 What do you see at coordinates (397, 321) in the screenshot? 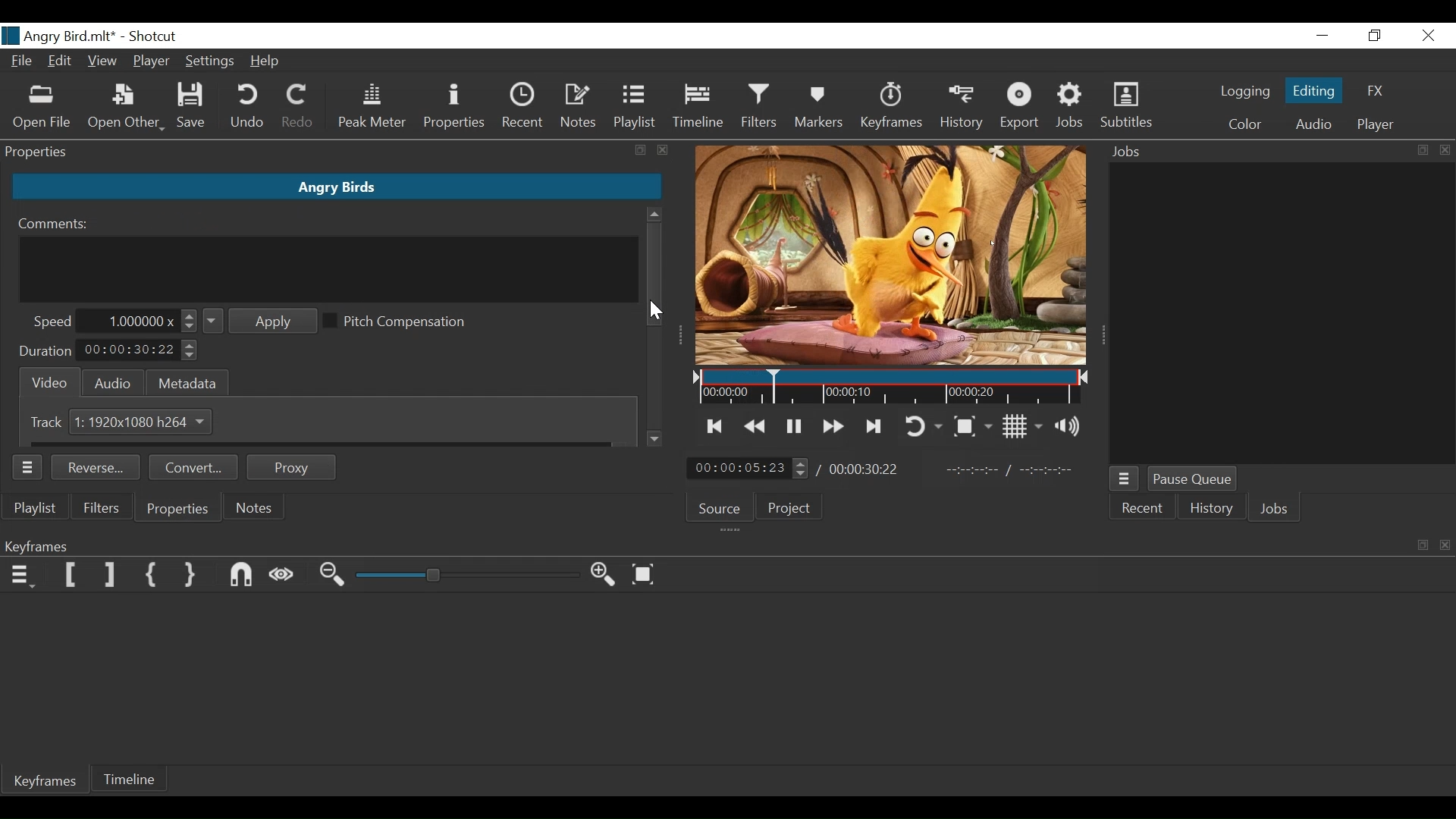
I see `(un)select Pitch Compensation` at bounding box center [397, 321].